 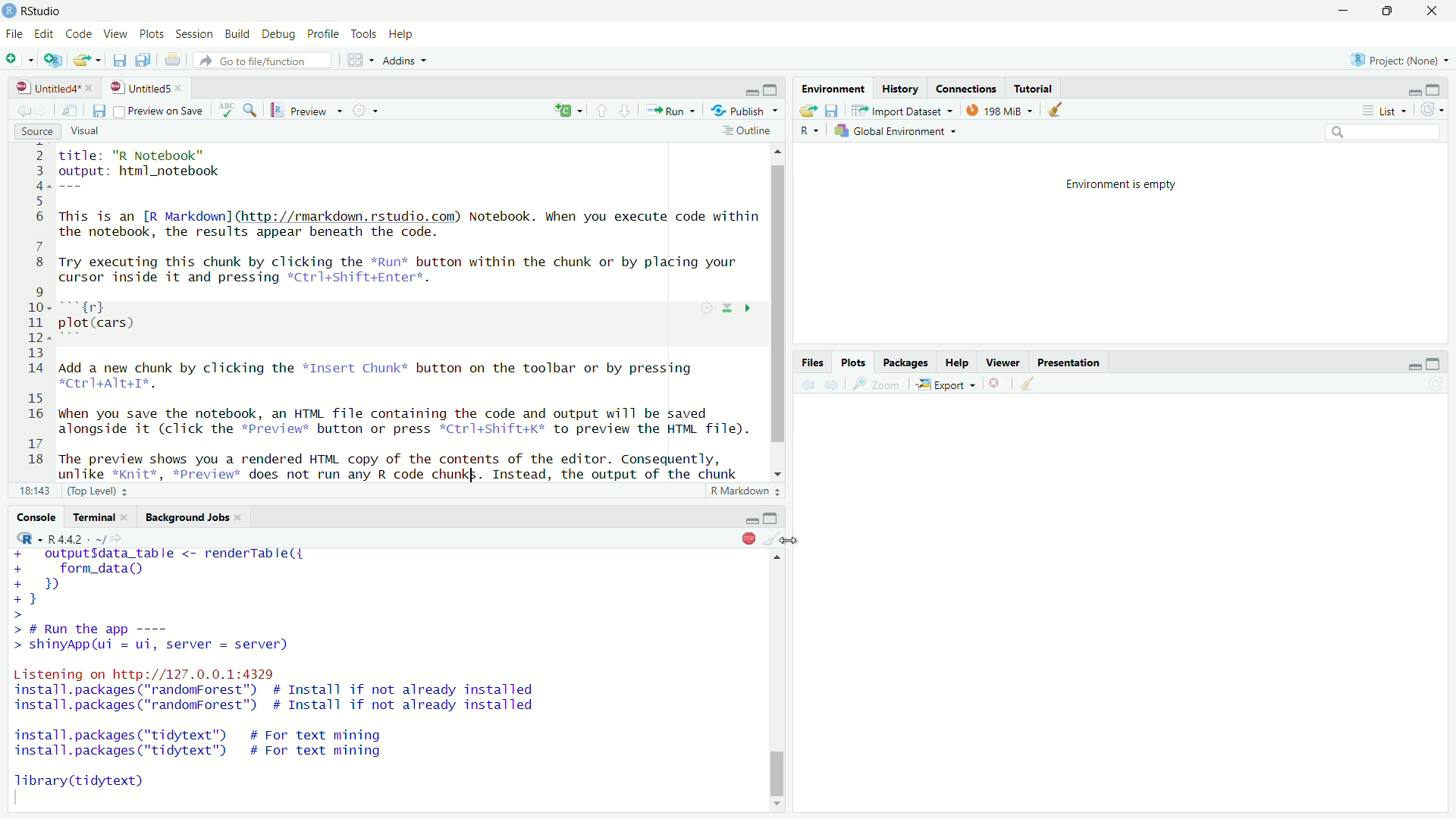 What do you see at coordinates (182, 88) in the screenshot?
I see `close` at bounding box center [182, 88].